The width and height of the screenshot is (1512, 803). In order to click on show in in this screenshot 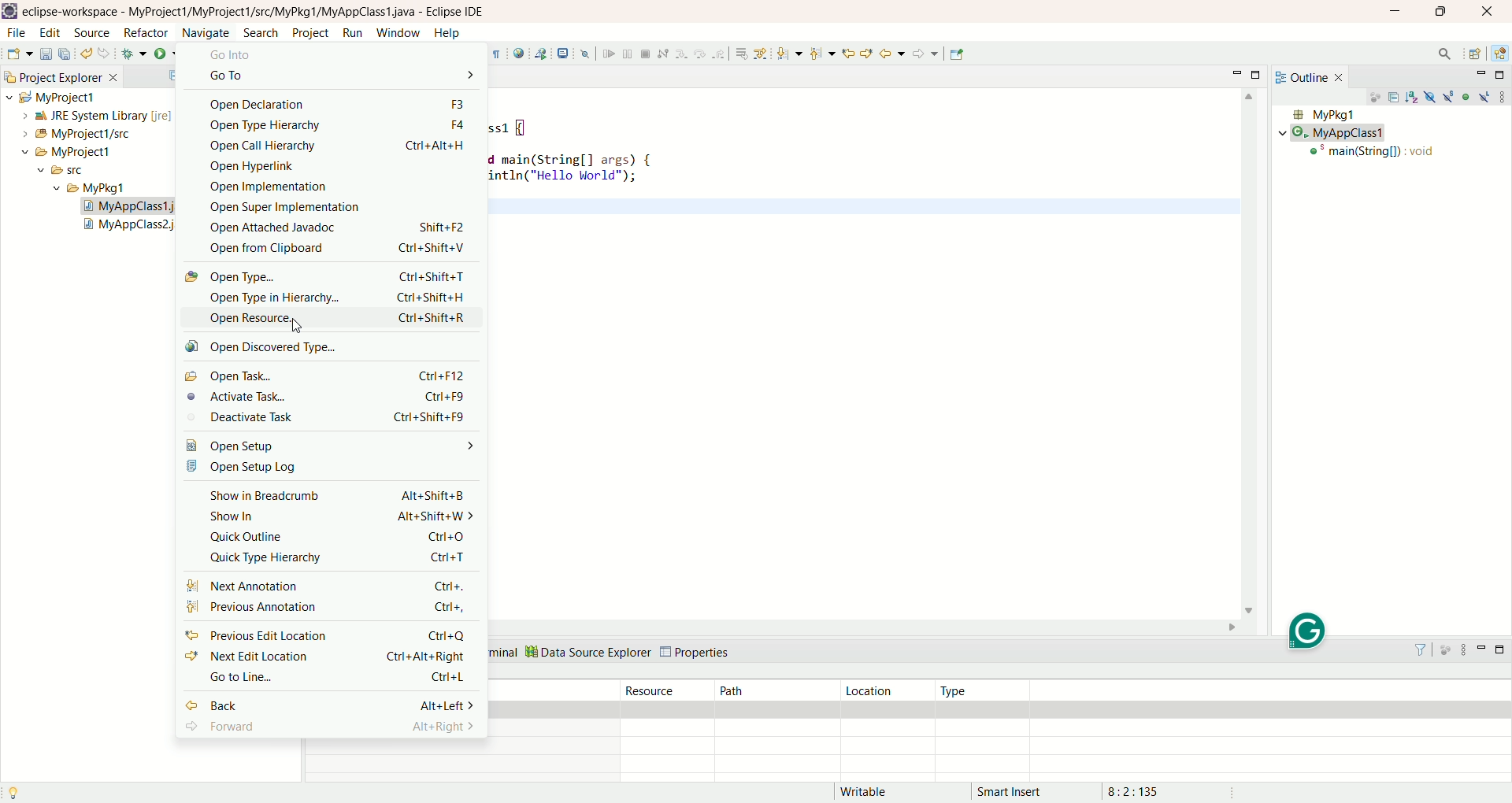, I will do `click(339, 518)`.